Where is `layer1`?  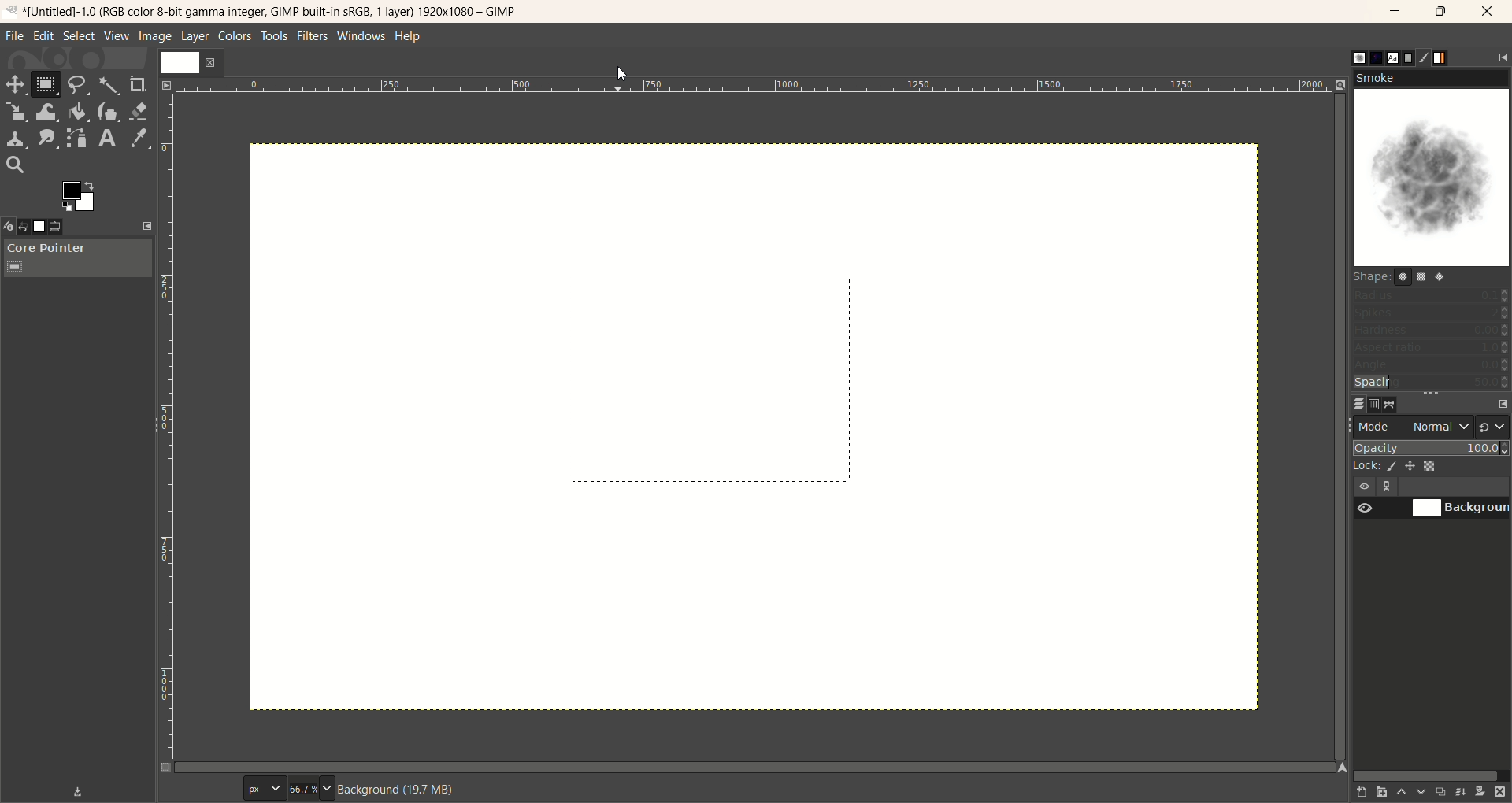
layer1 is located at coordinates (192, 64).